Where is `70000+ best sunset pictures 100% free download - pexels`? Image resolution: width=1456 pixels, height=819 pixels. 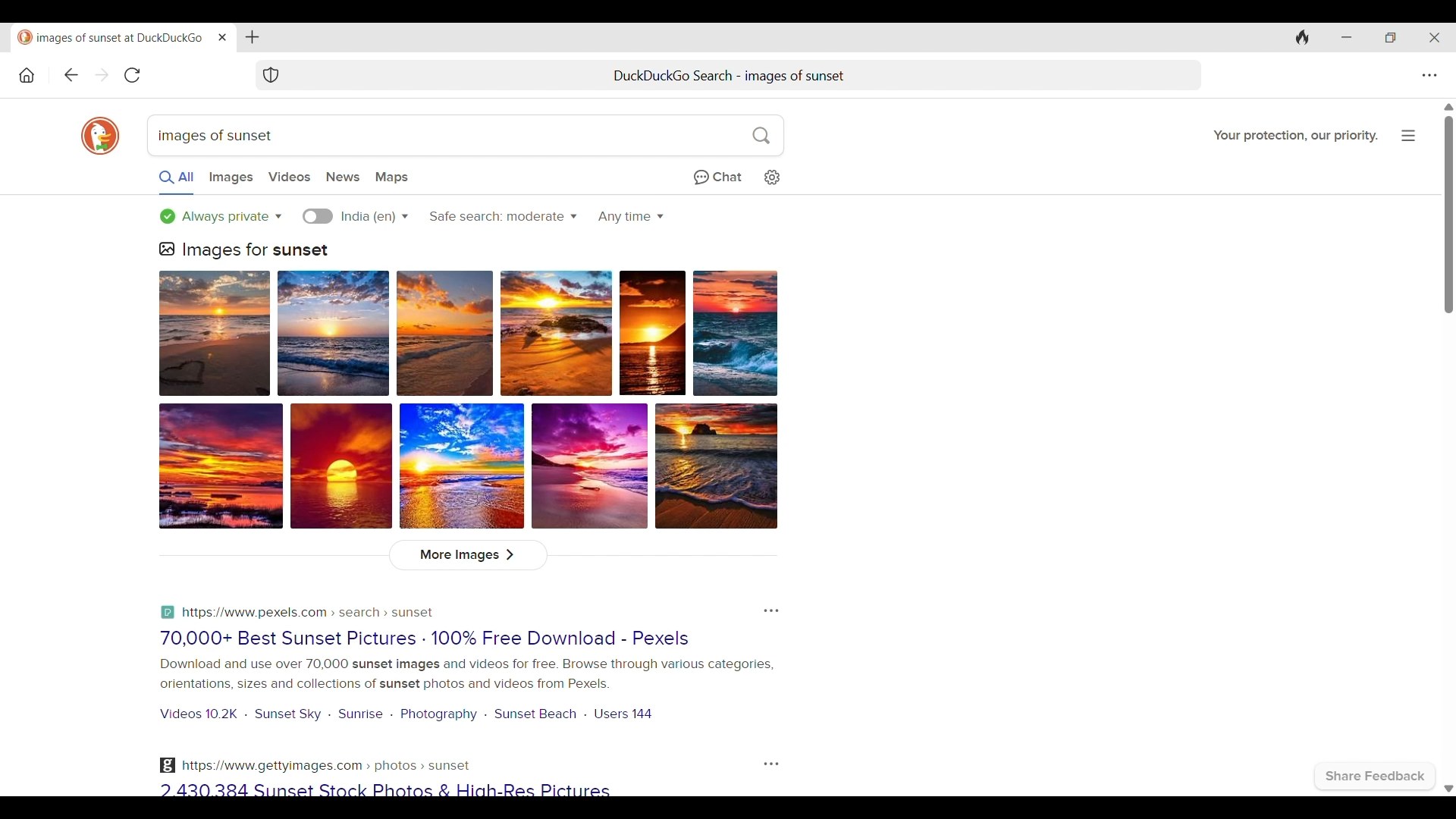 70000+ best sunset pictures 100% free download - pexels is located at coordinates (435, 638).